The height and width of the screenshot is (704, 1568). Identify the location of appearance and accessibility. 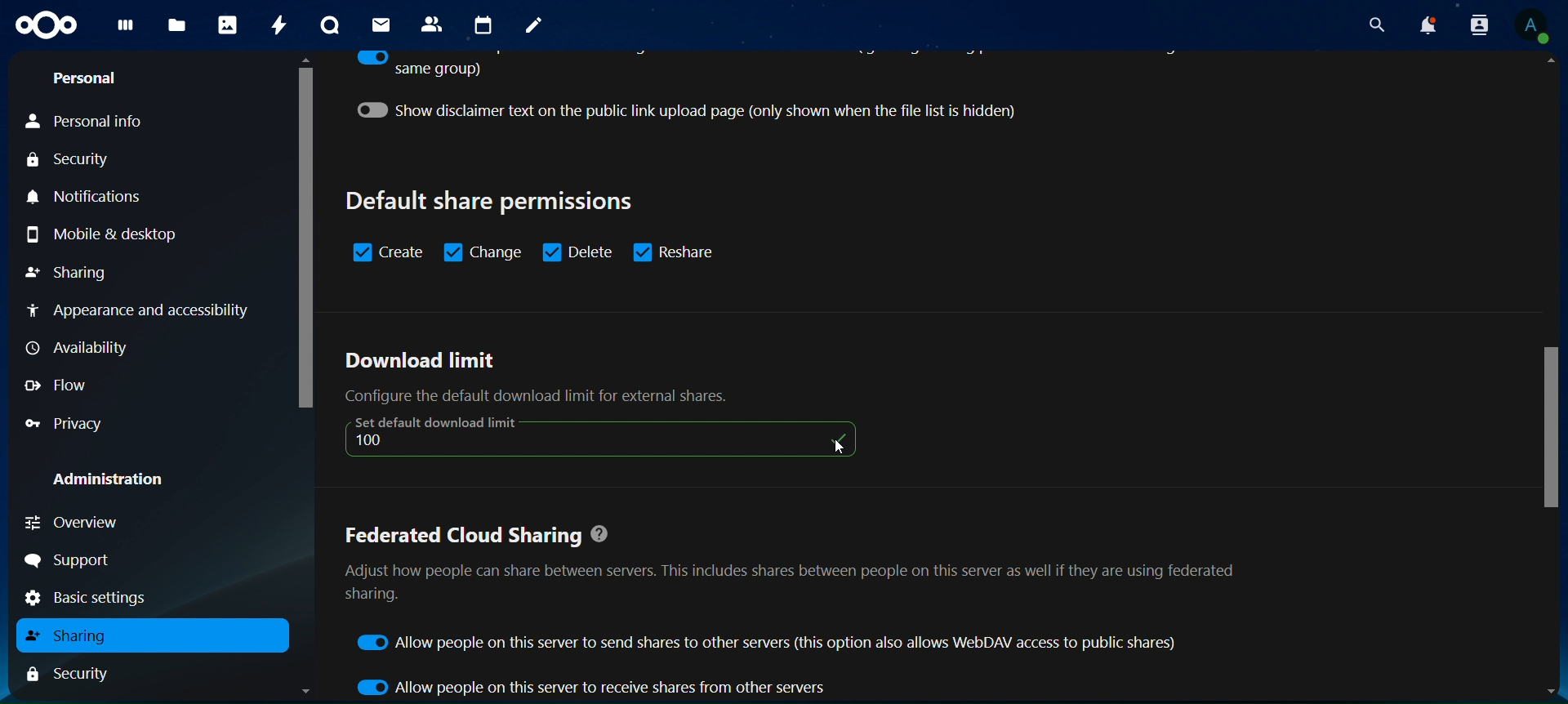
(140, 311).